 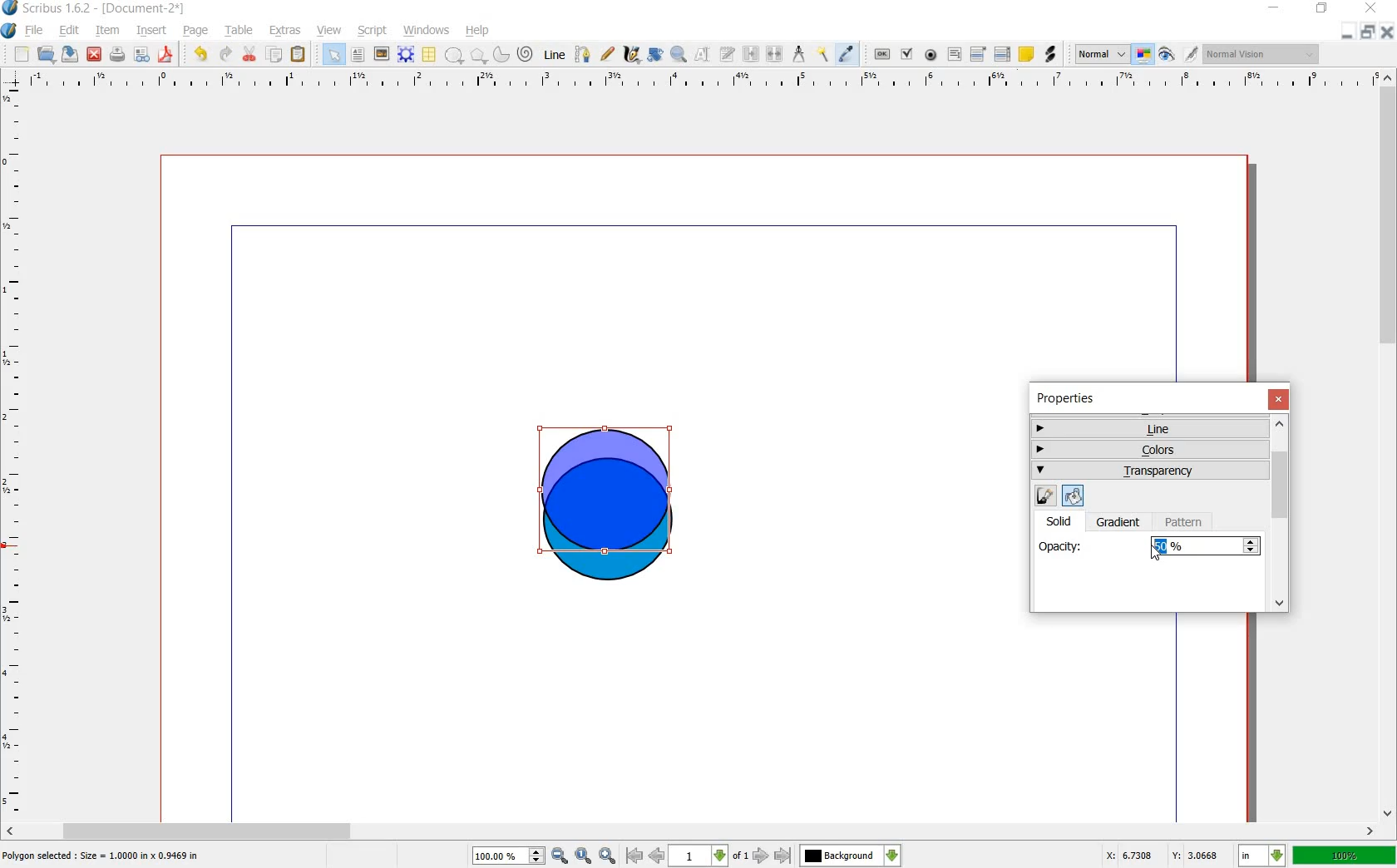 What do you see at coordinates (225, 55) in the screenshot?
I see `redo` at bounding box center [225, 55].